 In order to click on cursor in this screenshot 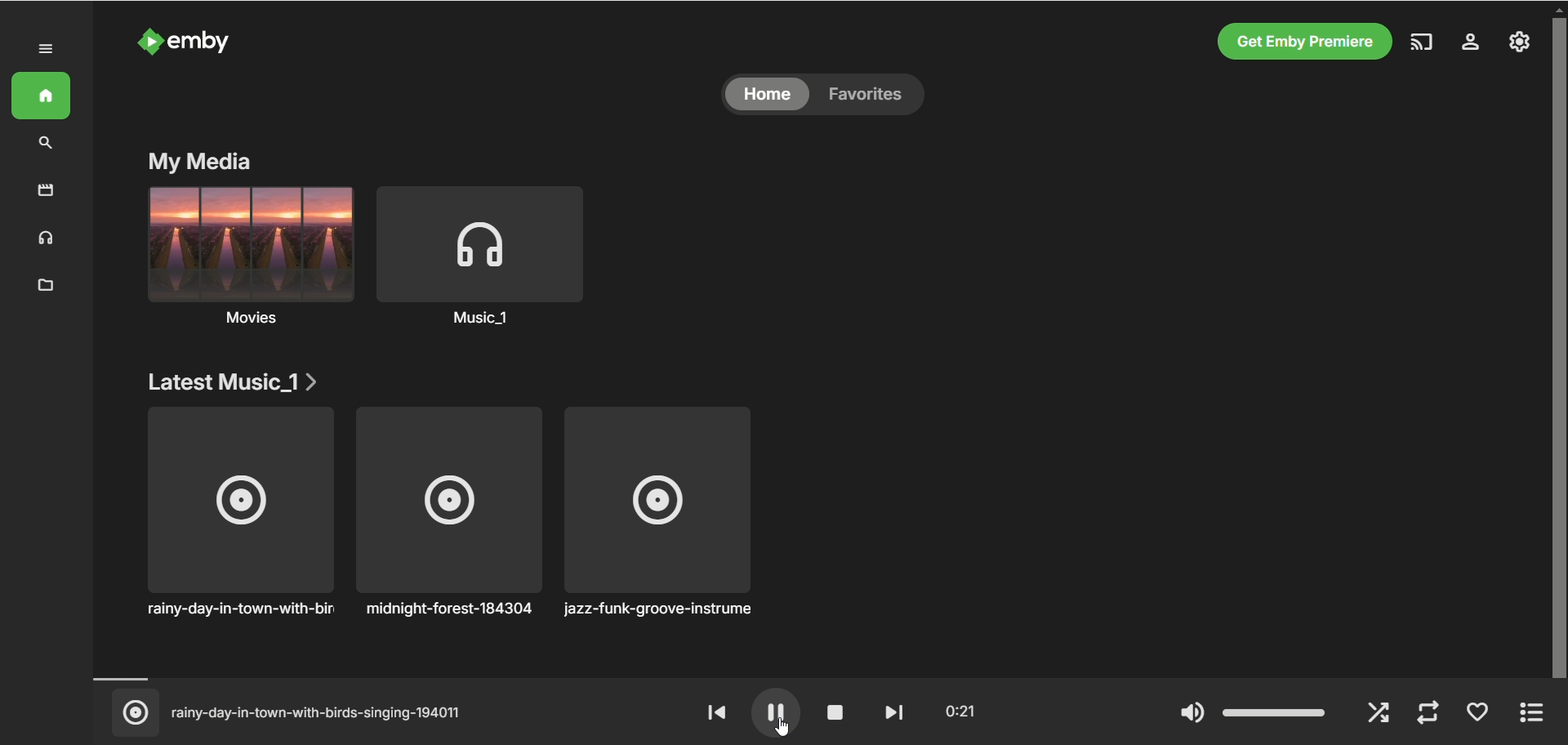, I will do `click(785, 728)`.